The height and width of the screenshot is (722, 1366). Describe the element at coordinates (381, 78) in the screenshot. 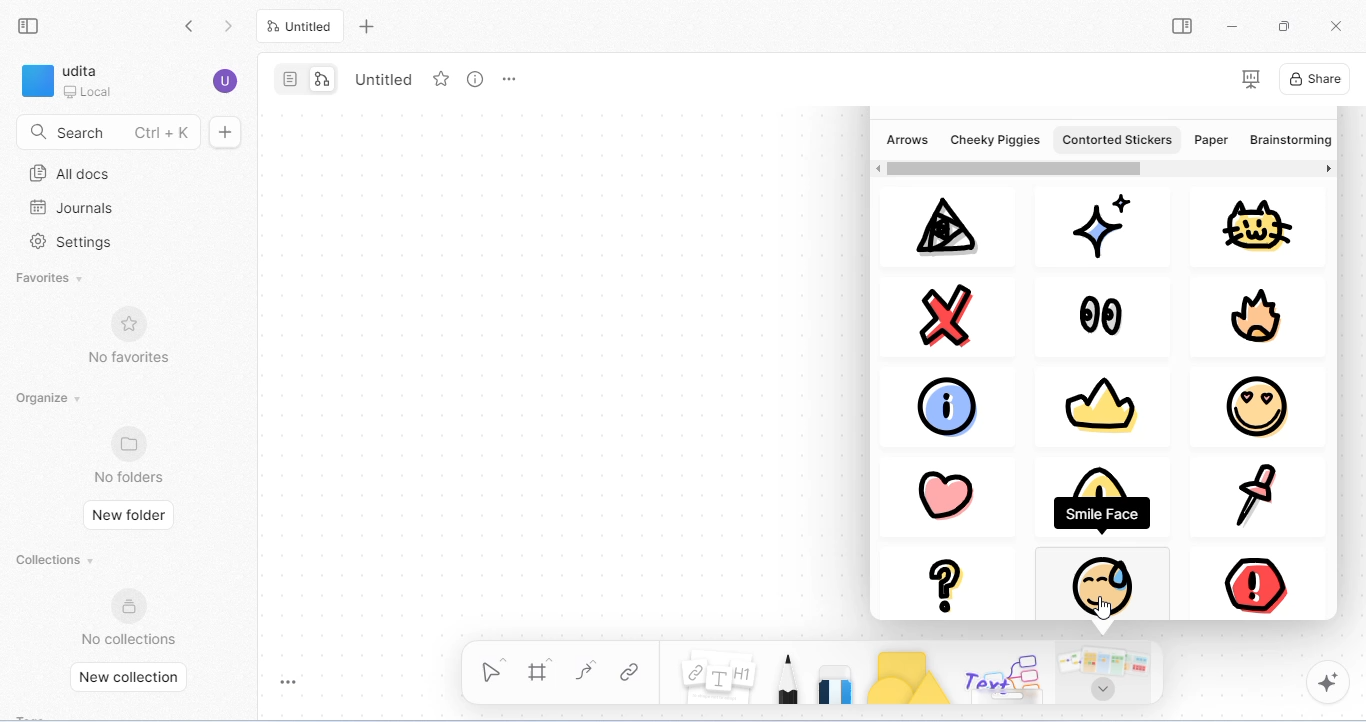

I see `tab name` at that location.